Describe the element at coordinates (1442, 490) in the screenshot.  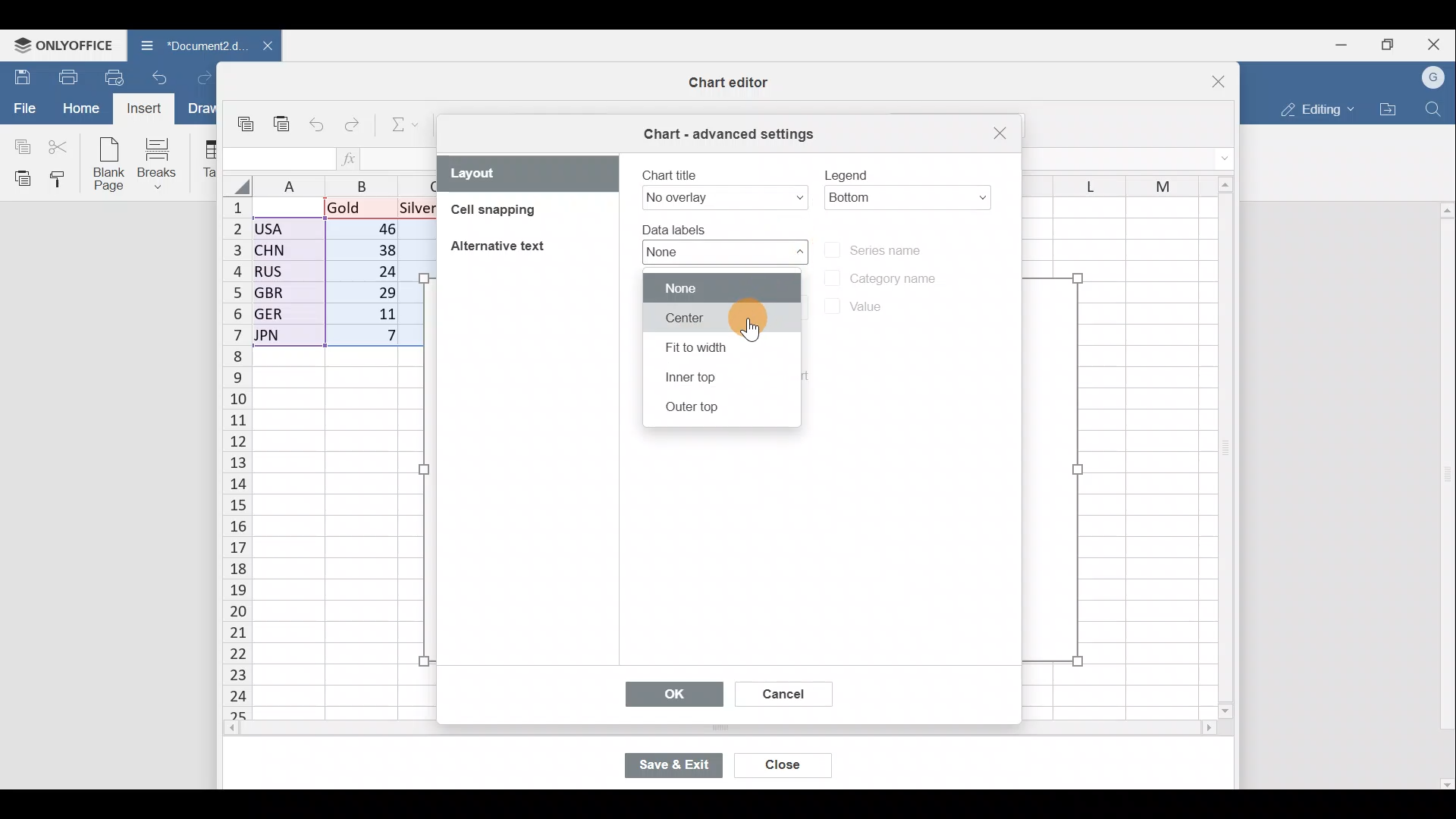
I see `Scroll bar` at that location.